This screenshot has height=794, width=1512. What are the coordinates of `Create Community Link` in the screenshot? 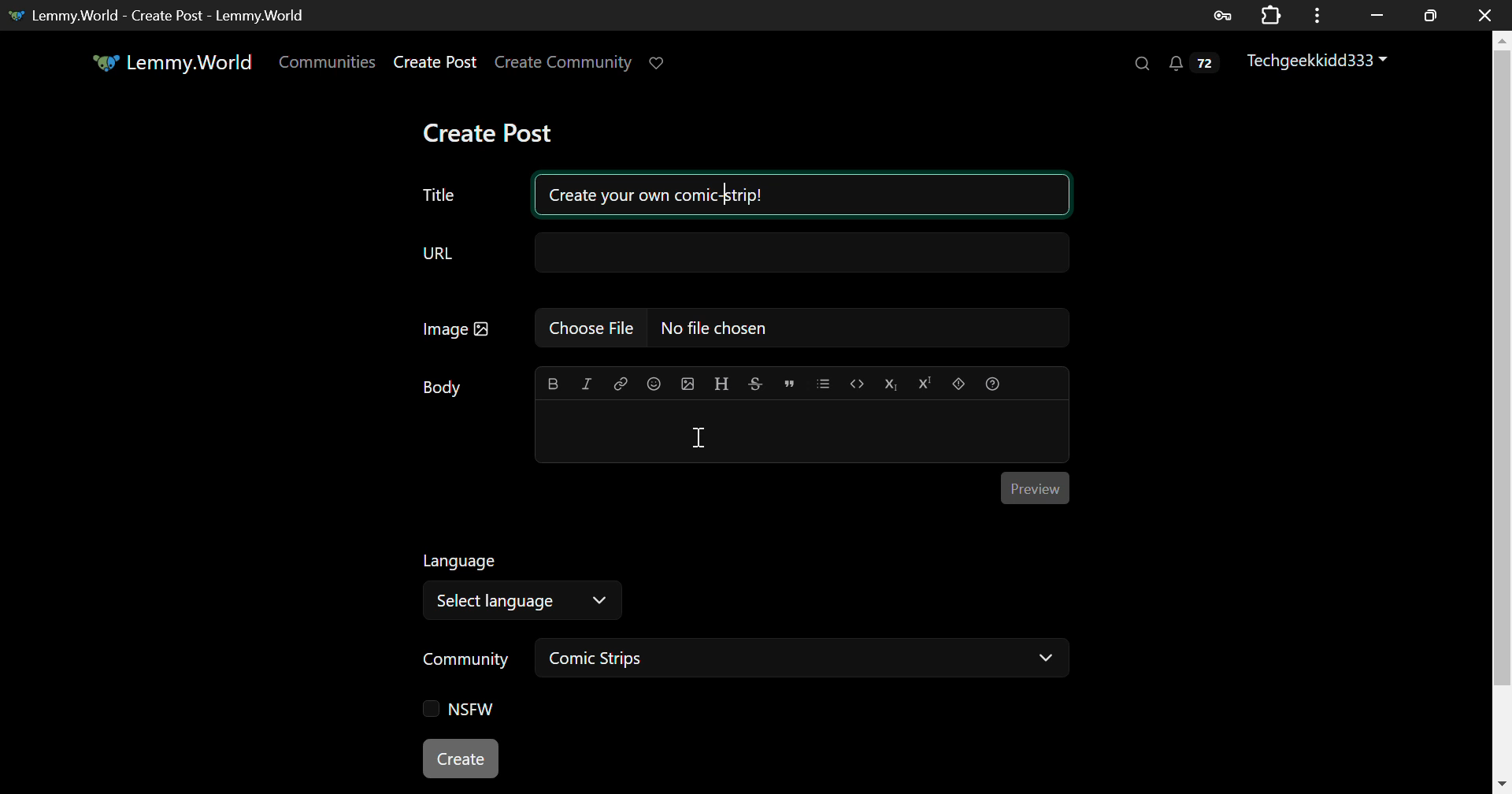 It's located at (566, 65).